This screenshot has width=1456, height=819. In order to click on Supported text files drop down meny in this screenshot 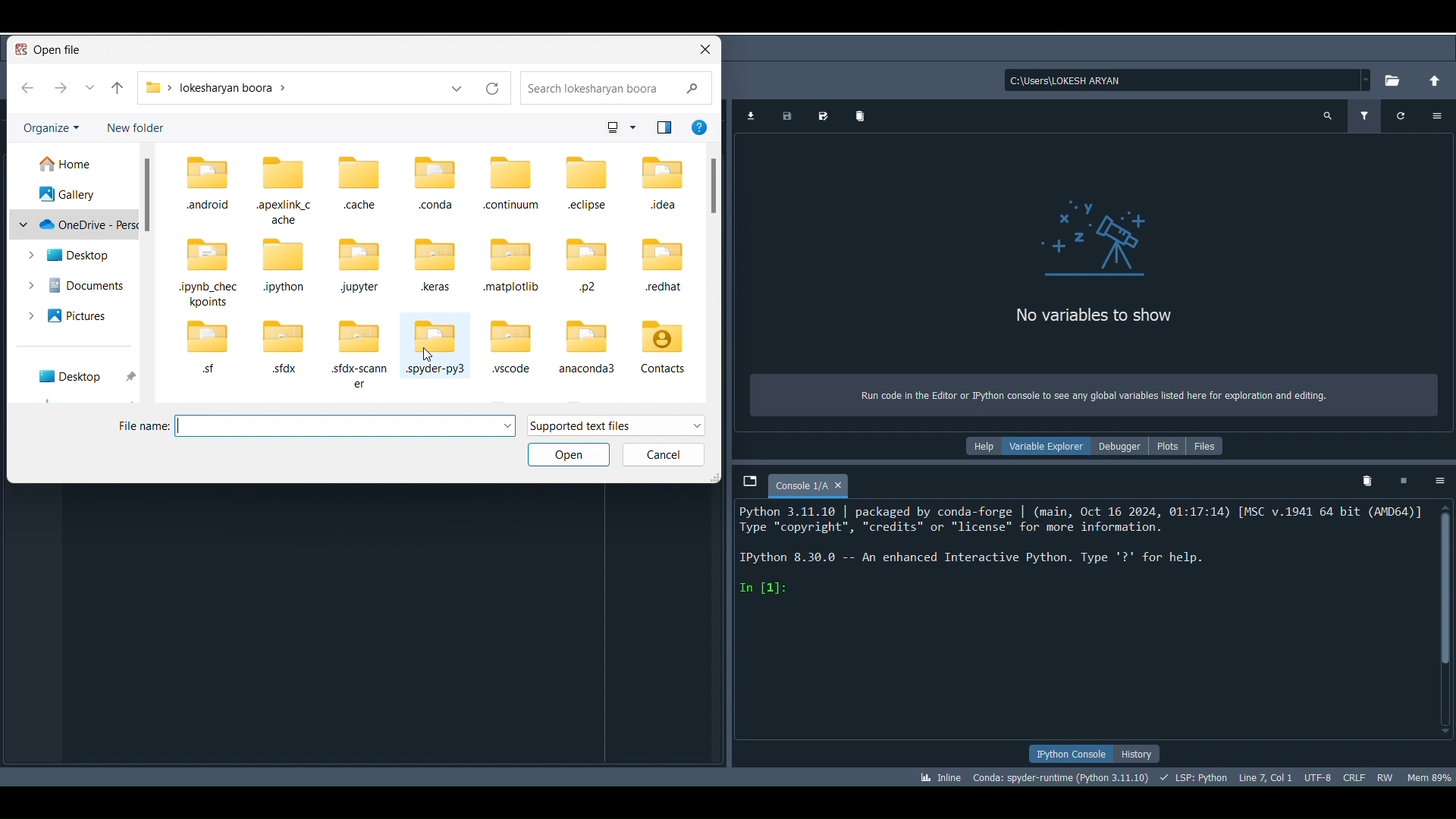, I will do `click(601, 427)`.